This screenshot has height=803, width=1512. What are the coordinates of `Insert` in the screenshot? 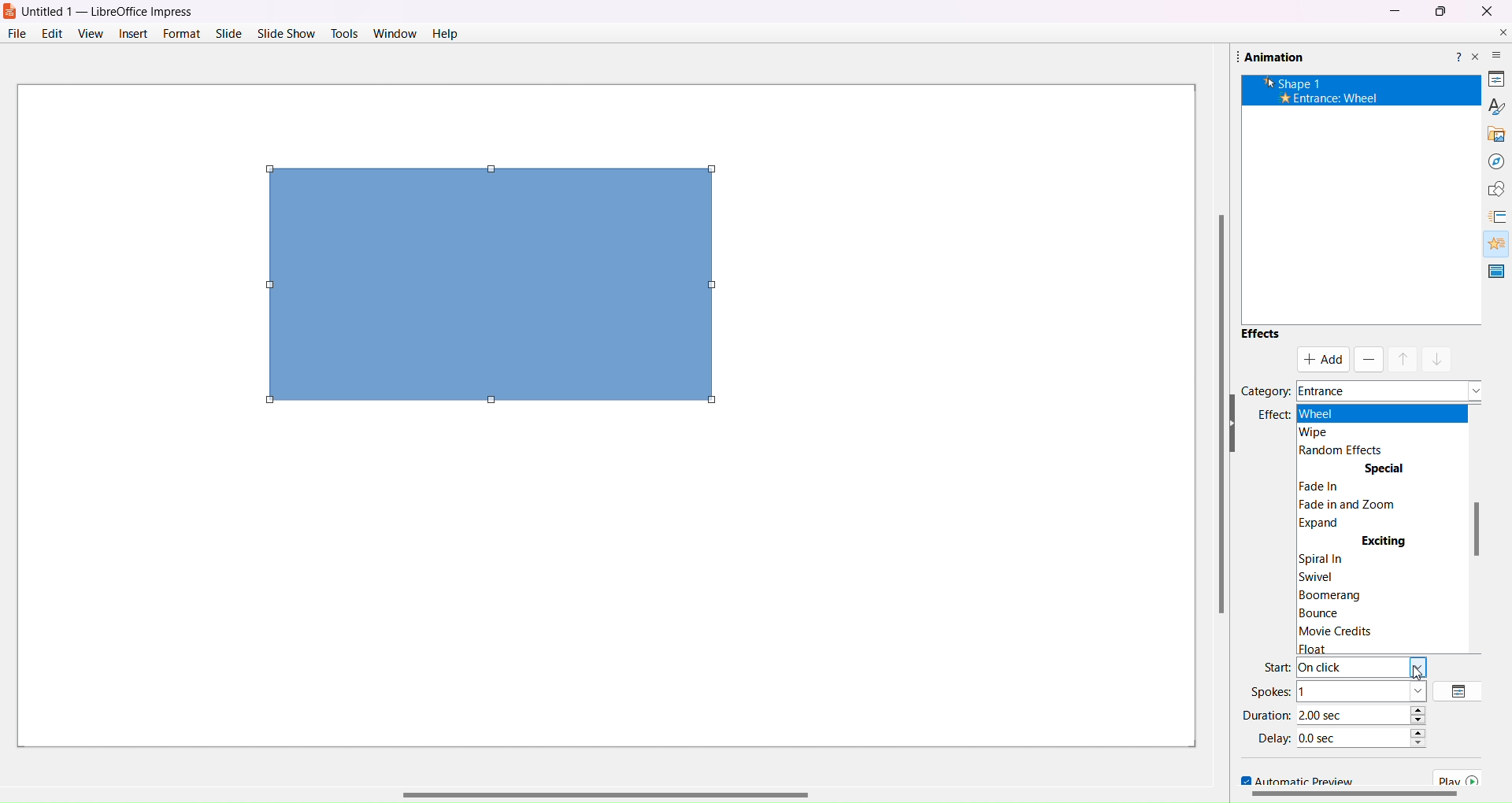 It's located at (132, 33).